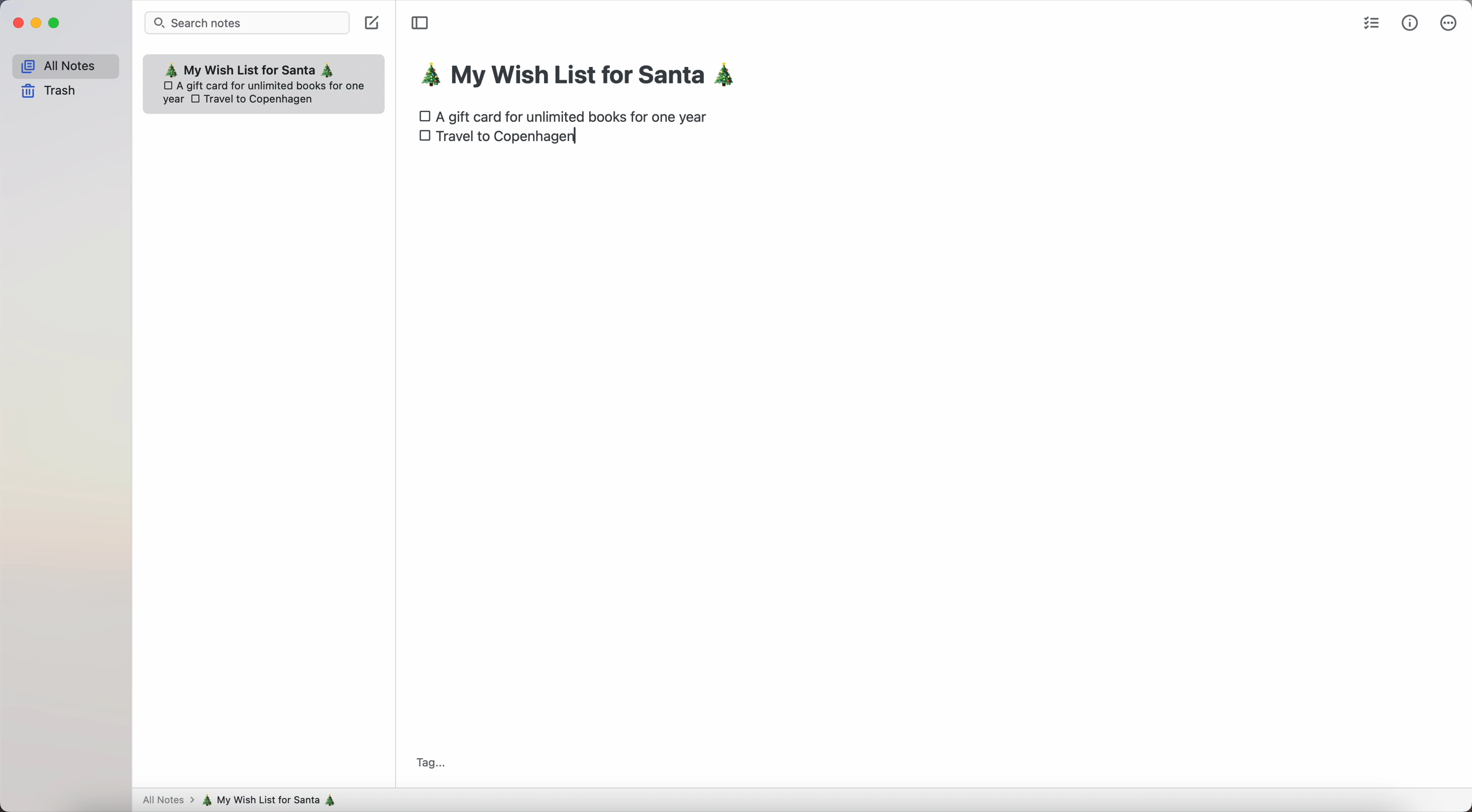  I want to click on create note, so click(374, 25).